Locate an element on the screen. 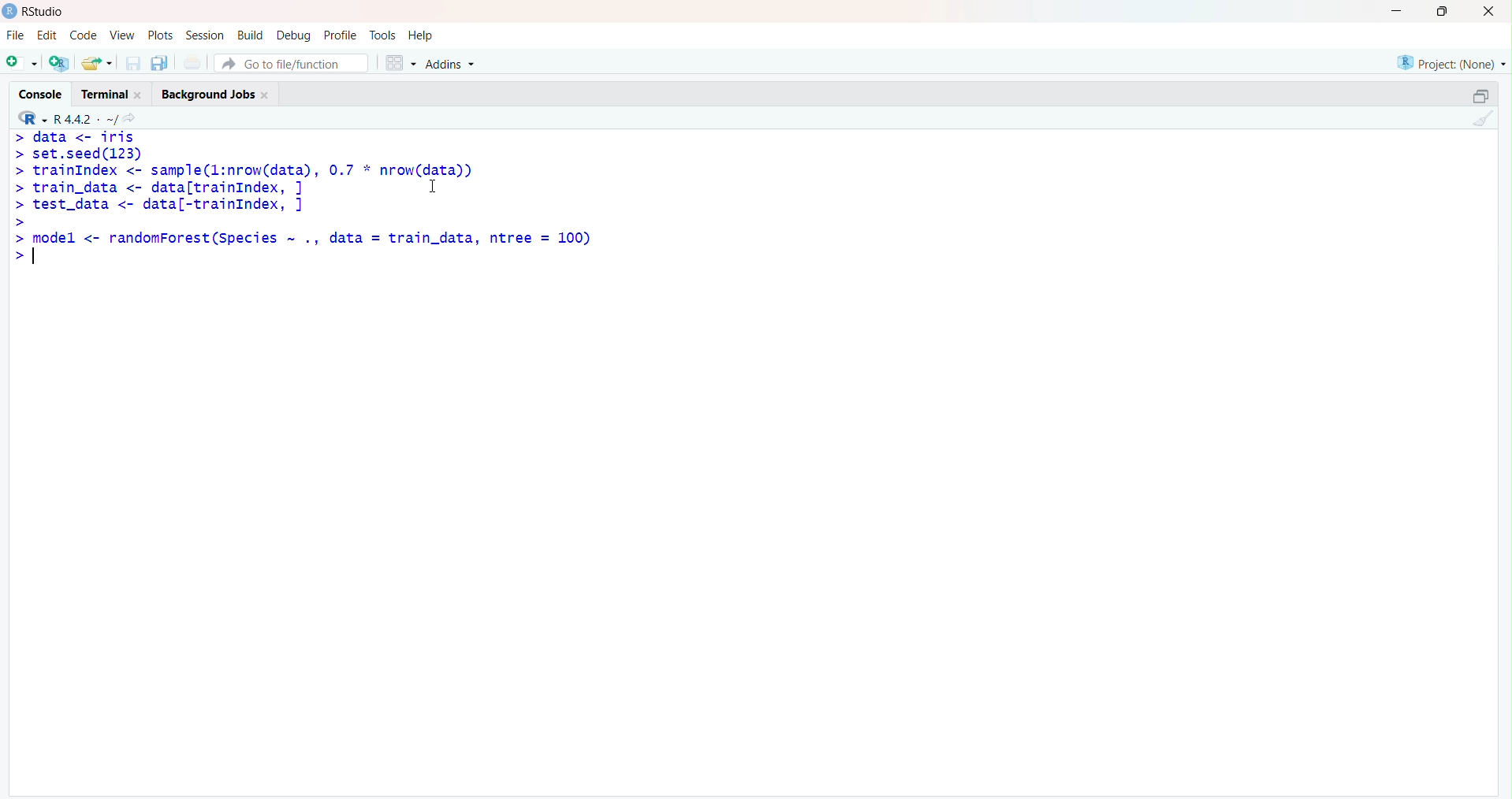 The image size is (1512, 799). RStudio is located at coordinates (37, 11).